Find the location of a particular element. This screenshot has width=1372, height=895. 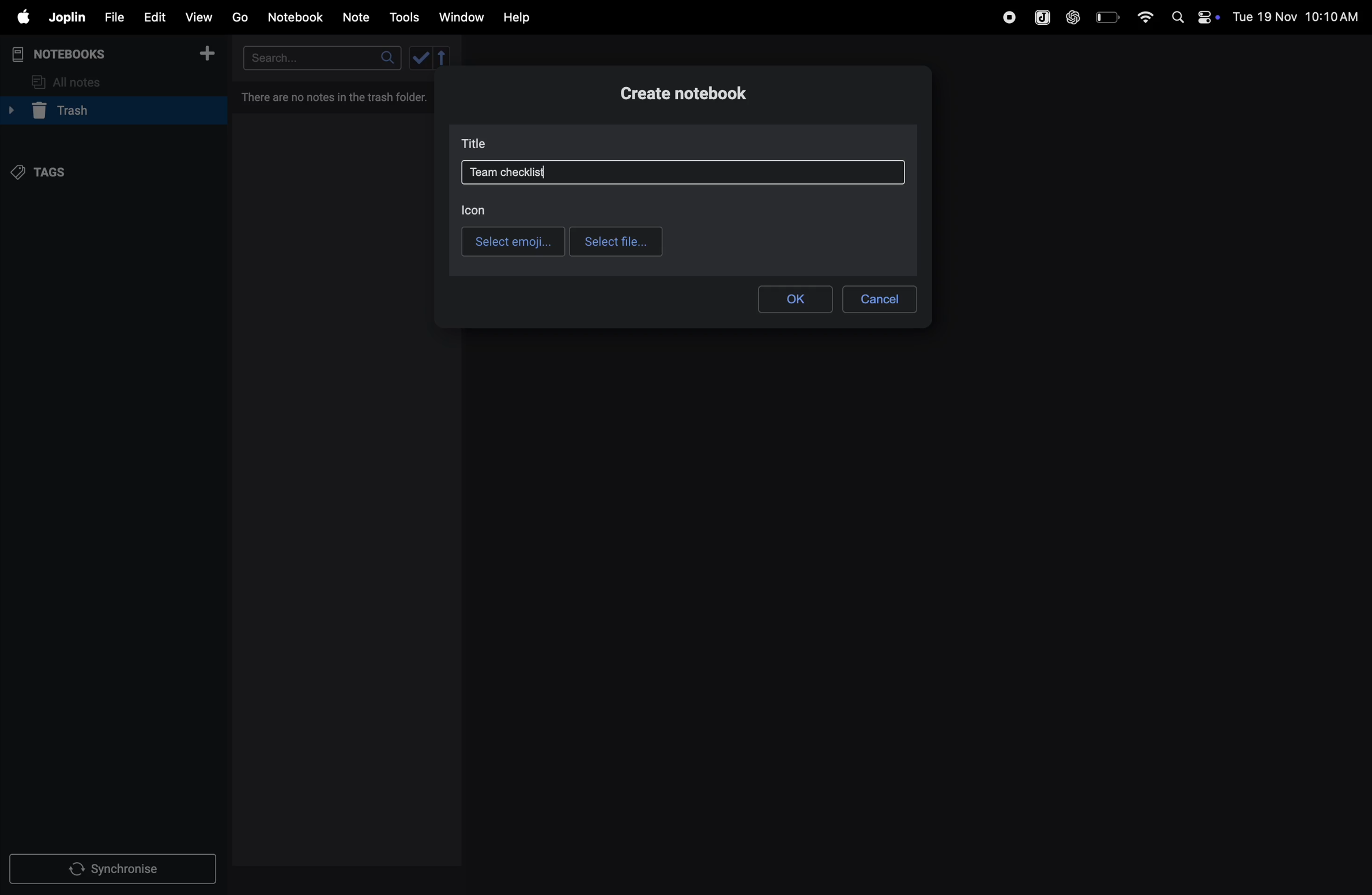

notebooks is located at coordinates (66, 52).